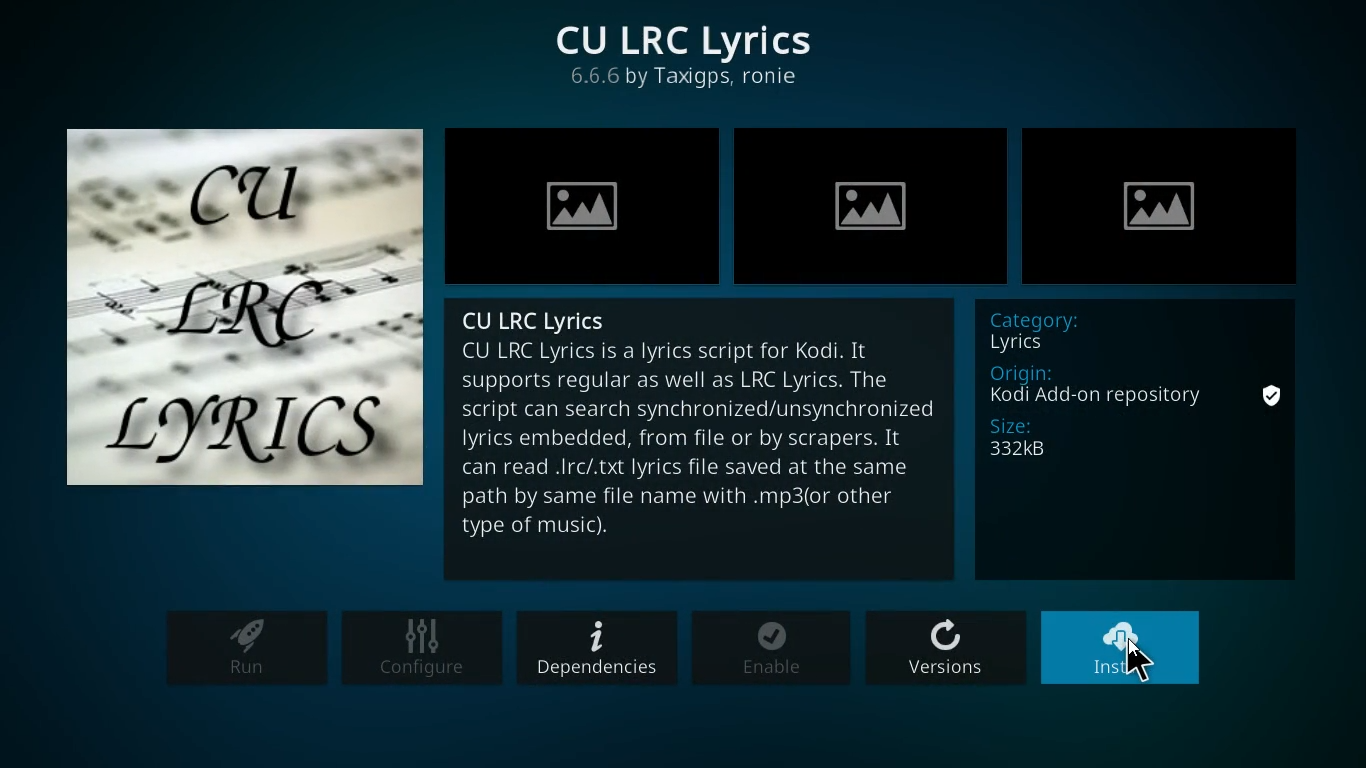 The height and width of the screenshot is (768, 1366). I want to click on secure, so click(1276, 394).